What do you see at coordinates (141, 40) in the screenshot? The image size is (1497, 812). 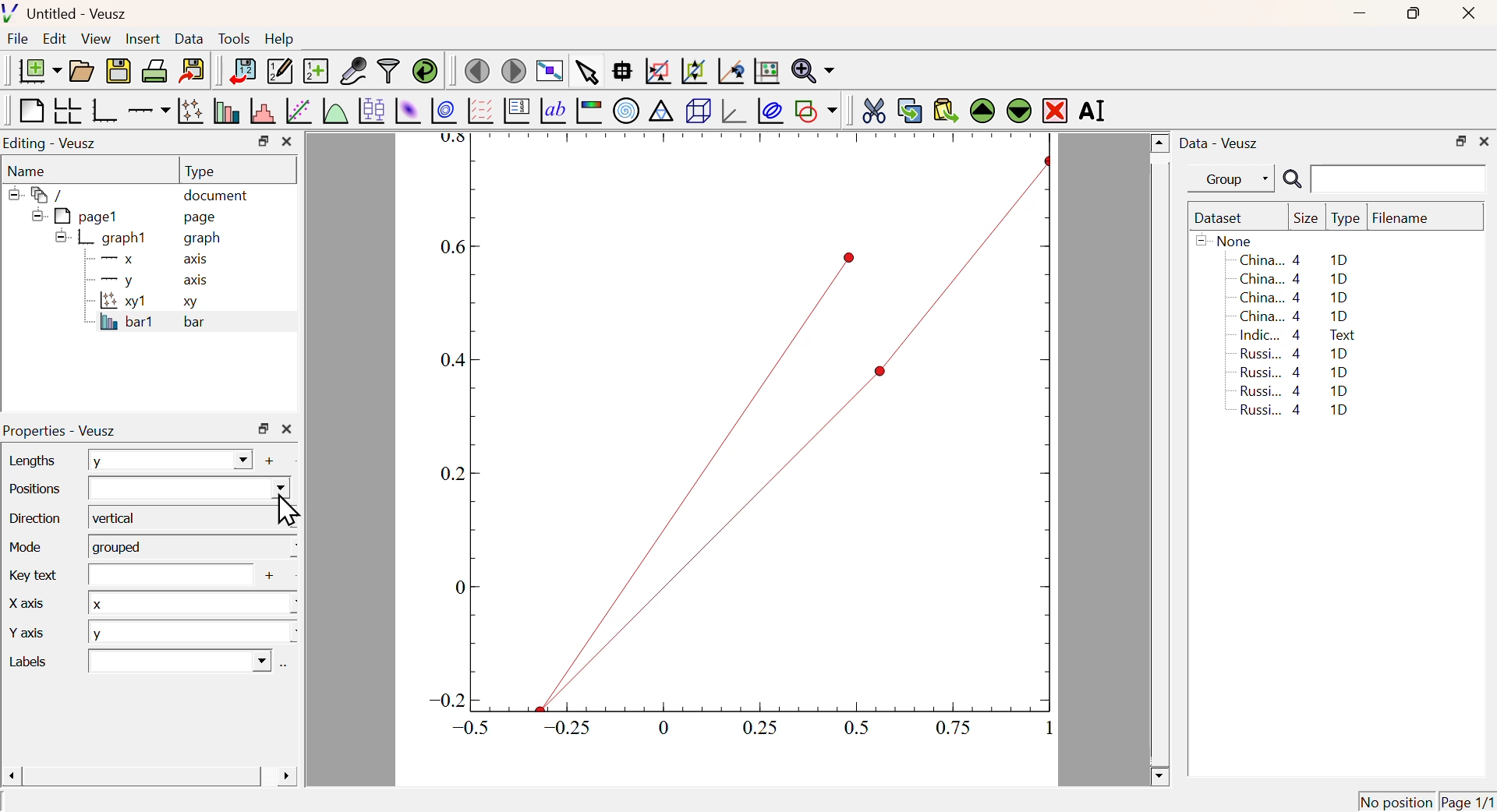 I see `Insert` at bounding box center [141, 40].